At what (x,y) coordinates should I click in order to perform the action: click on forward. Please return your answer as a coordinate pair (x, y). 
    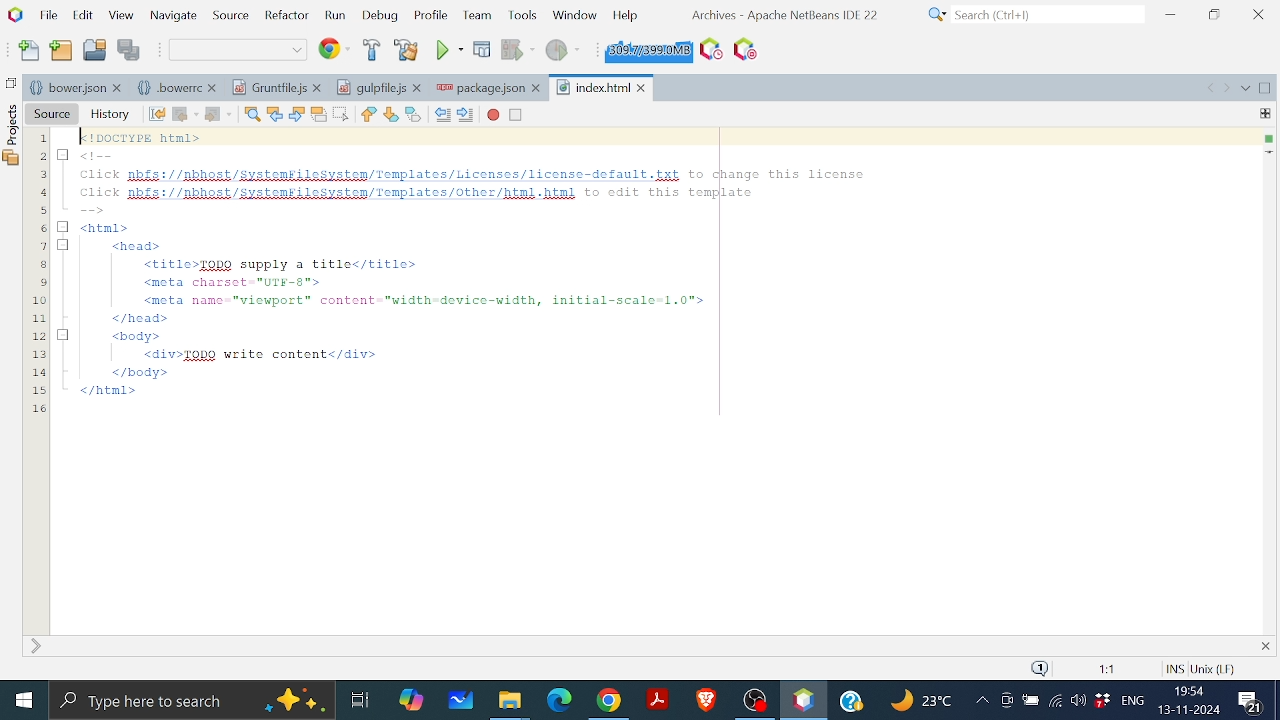
    Looking at the image, I should click on (220, 114).